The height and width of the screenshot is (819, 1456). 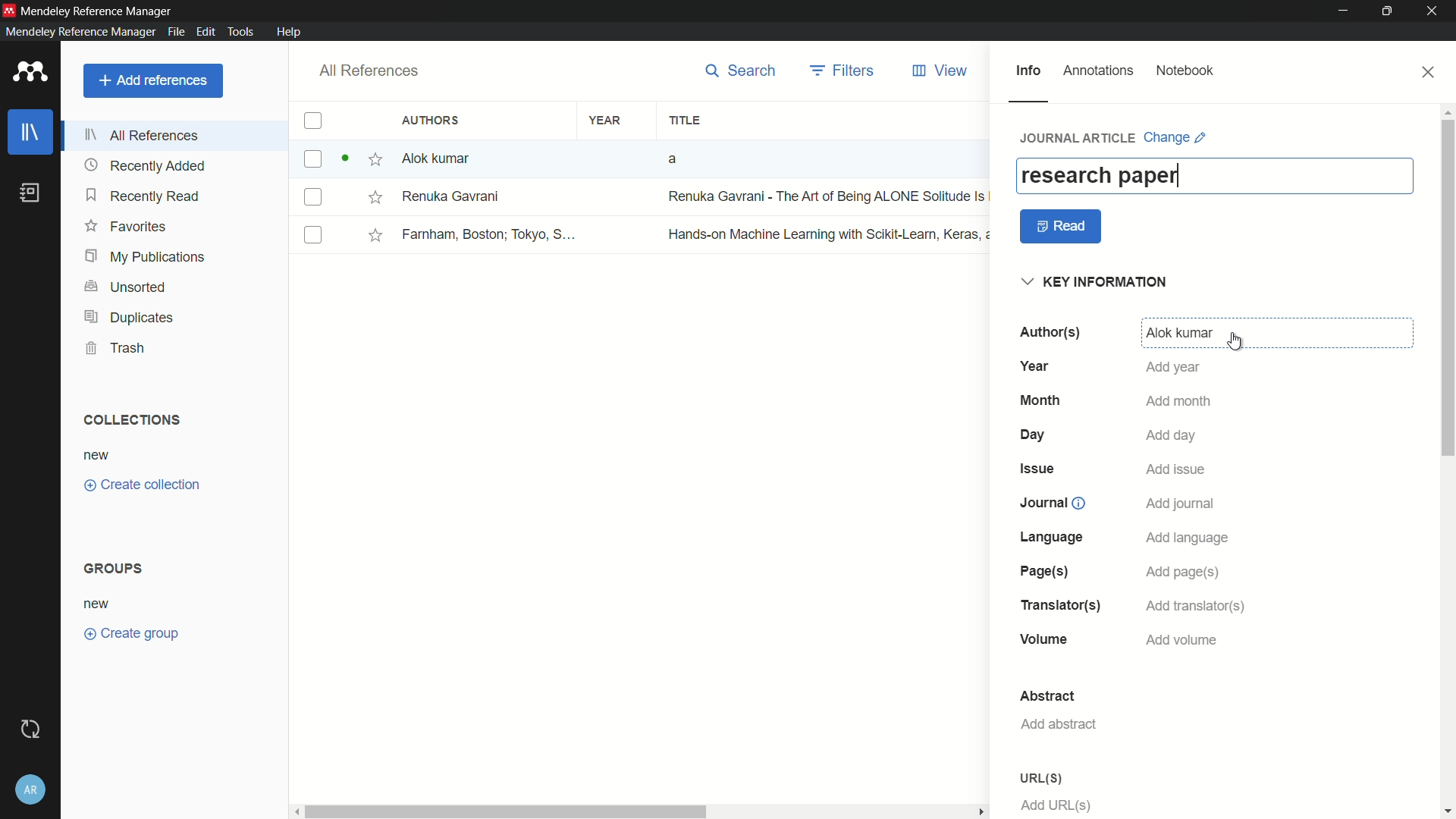 What do you see at coordinates (1447, 460) in the screenshot?
I see `vertical scrollbar` at bounding box center [1447, 460].